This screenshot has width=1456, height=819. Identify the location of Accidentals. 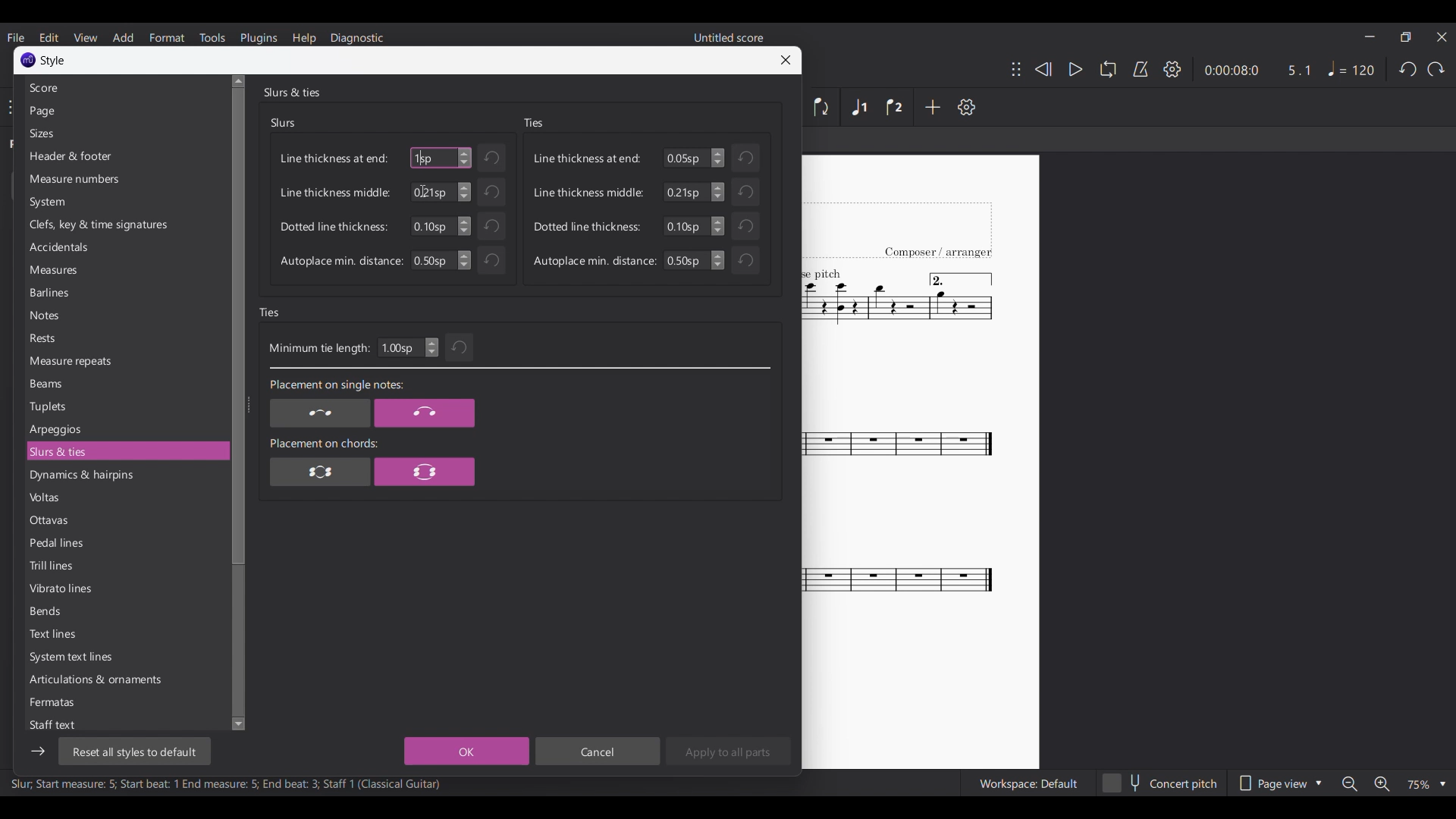
(124, 247).